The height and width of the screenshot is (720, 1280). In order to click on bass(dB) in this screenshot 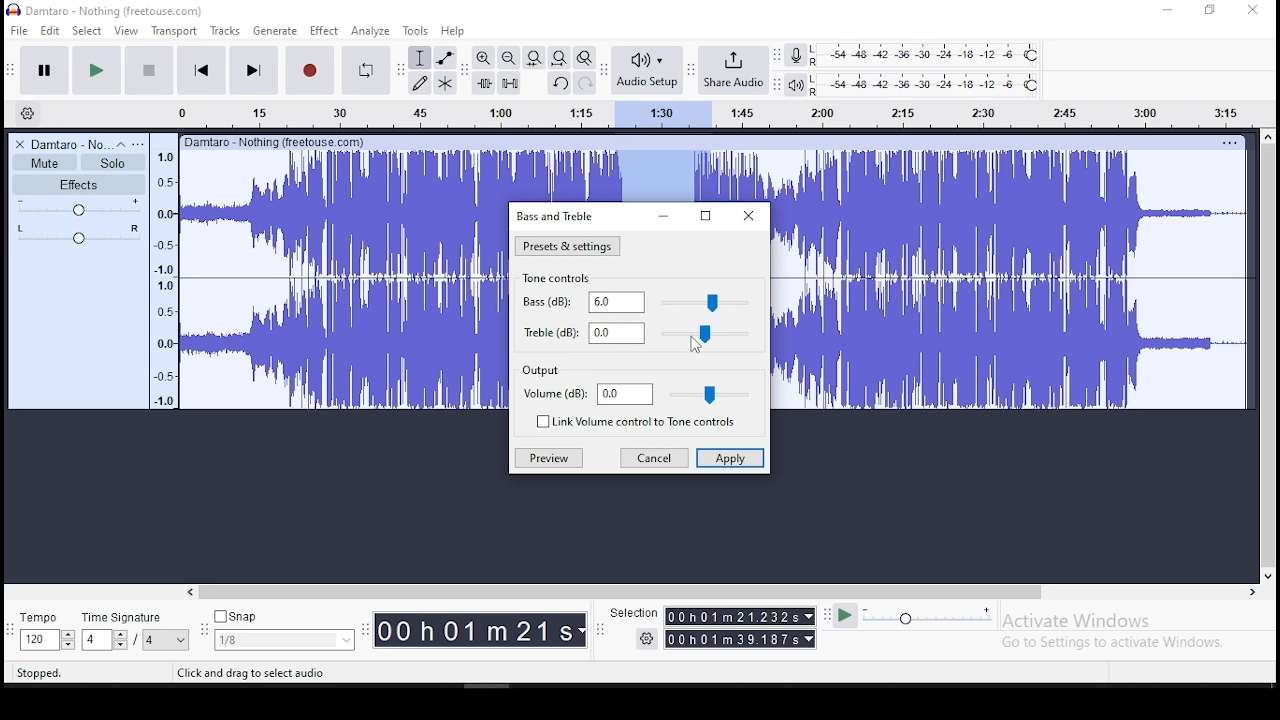, I will do `click(544, 301)`.